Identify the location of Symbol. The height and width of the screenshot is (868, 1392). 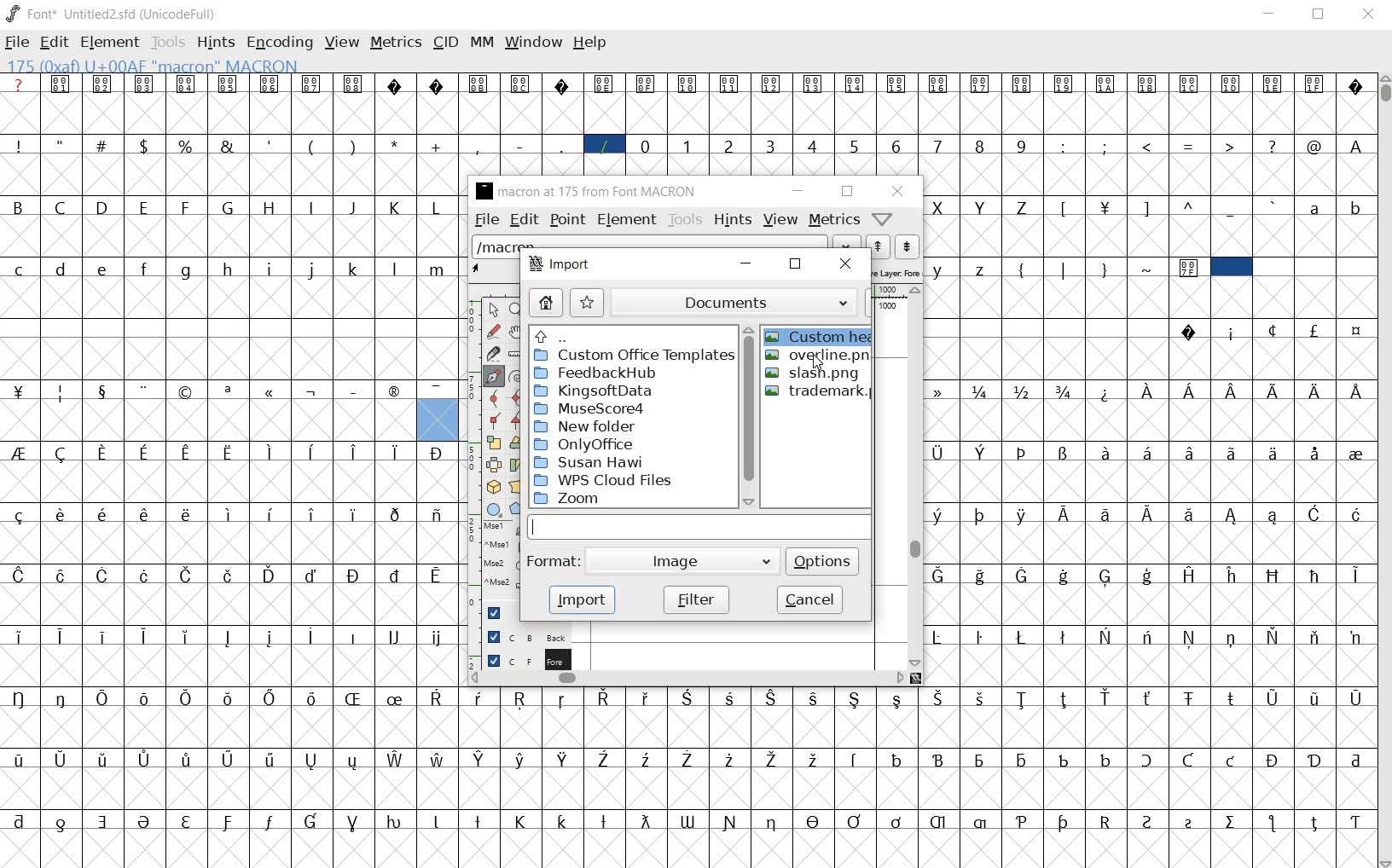
(231, 451).